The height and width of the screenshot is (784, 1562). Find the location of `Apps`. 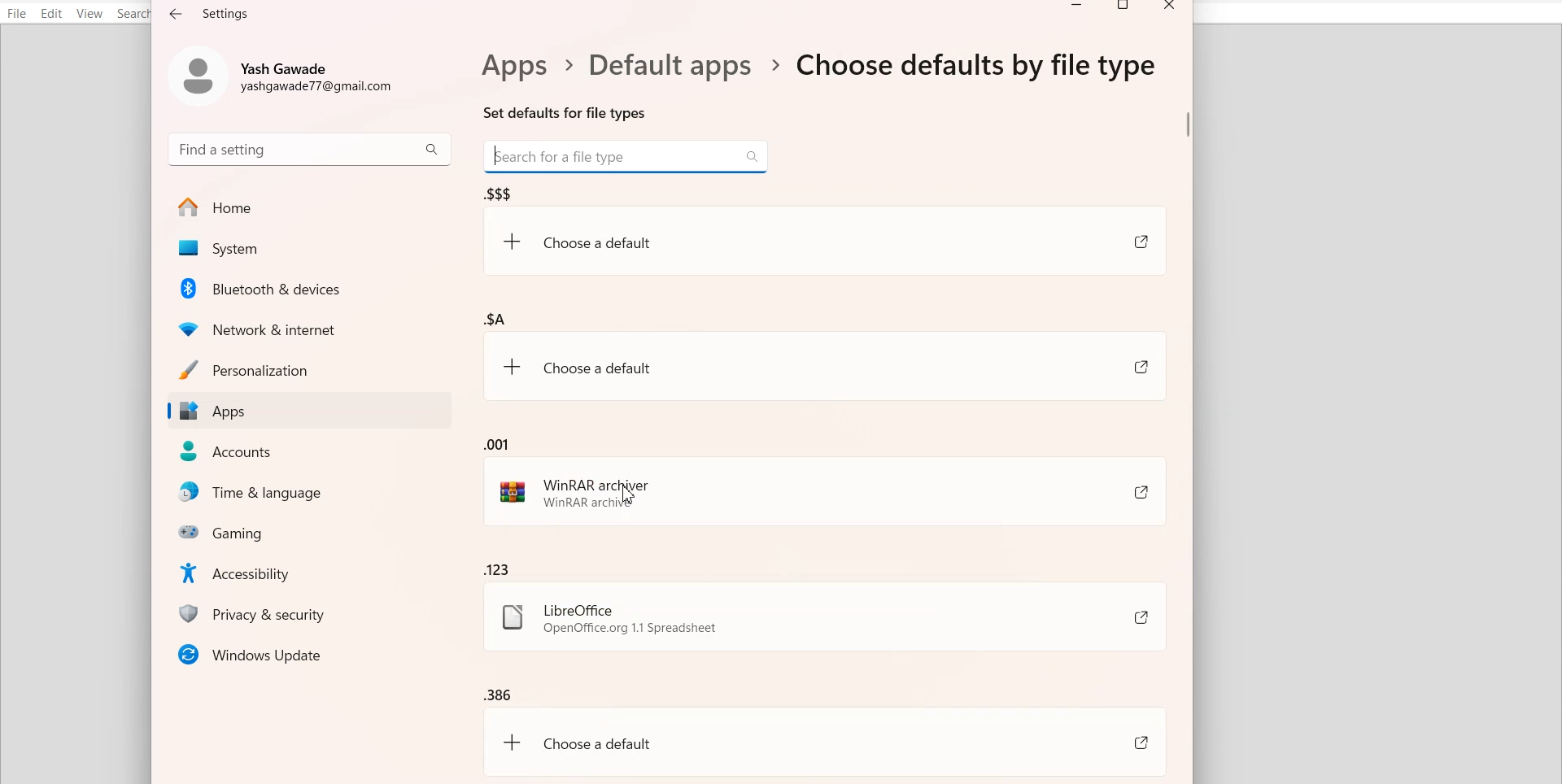

Apps is located at coordinates (308, 412).